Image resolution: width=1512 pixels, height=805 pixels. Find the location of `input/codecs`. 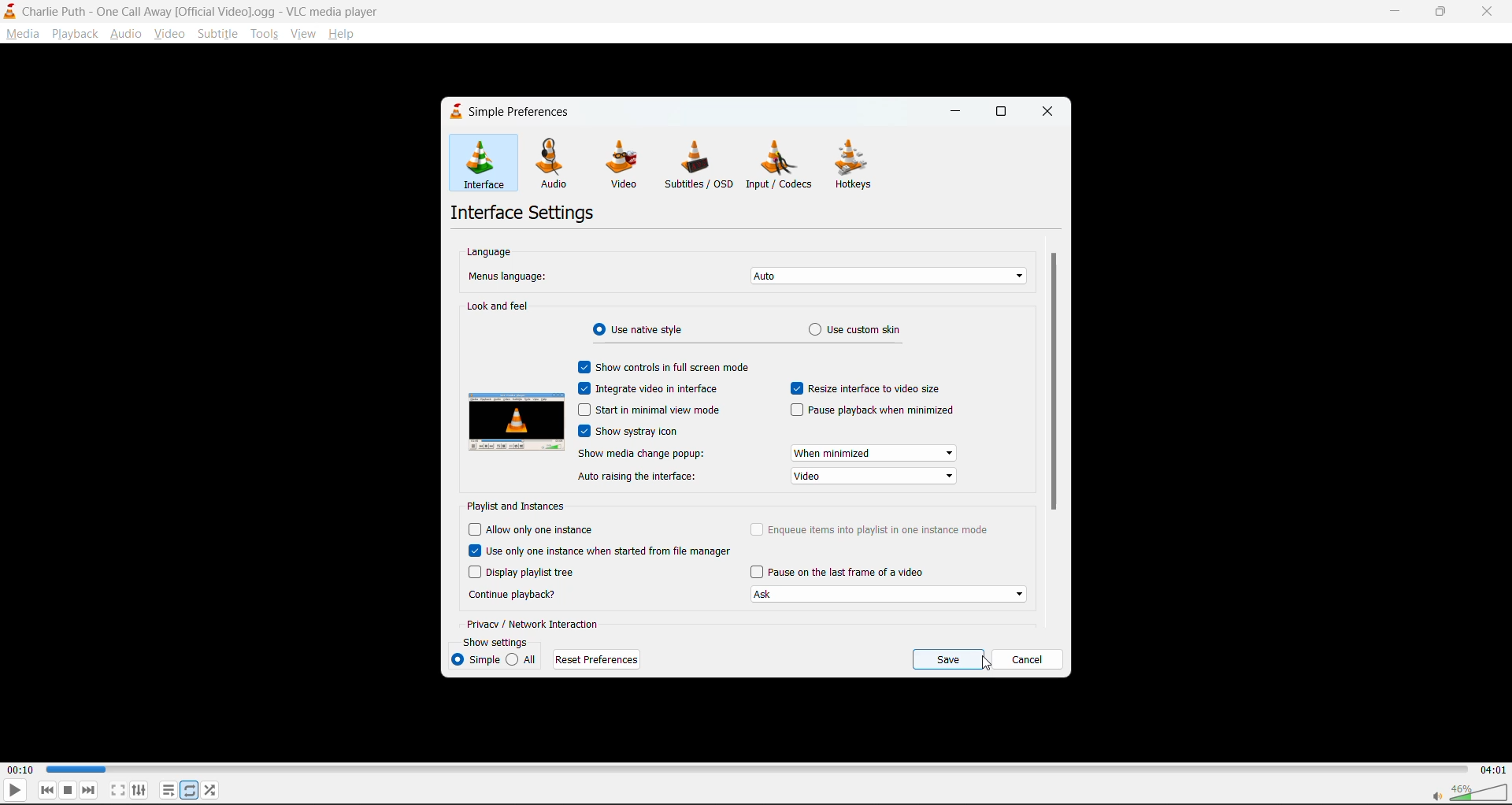

input/codecs is located at coordinates (780, 168).